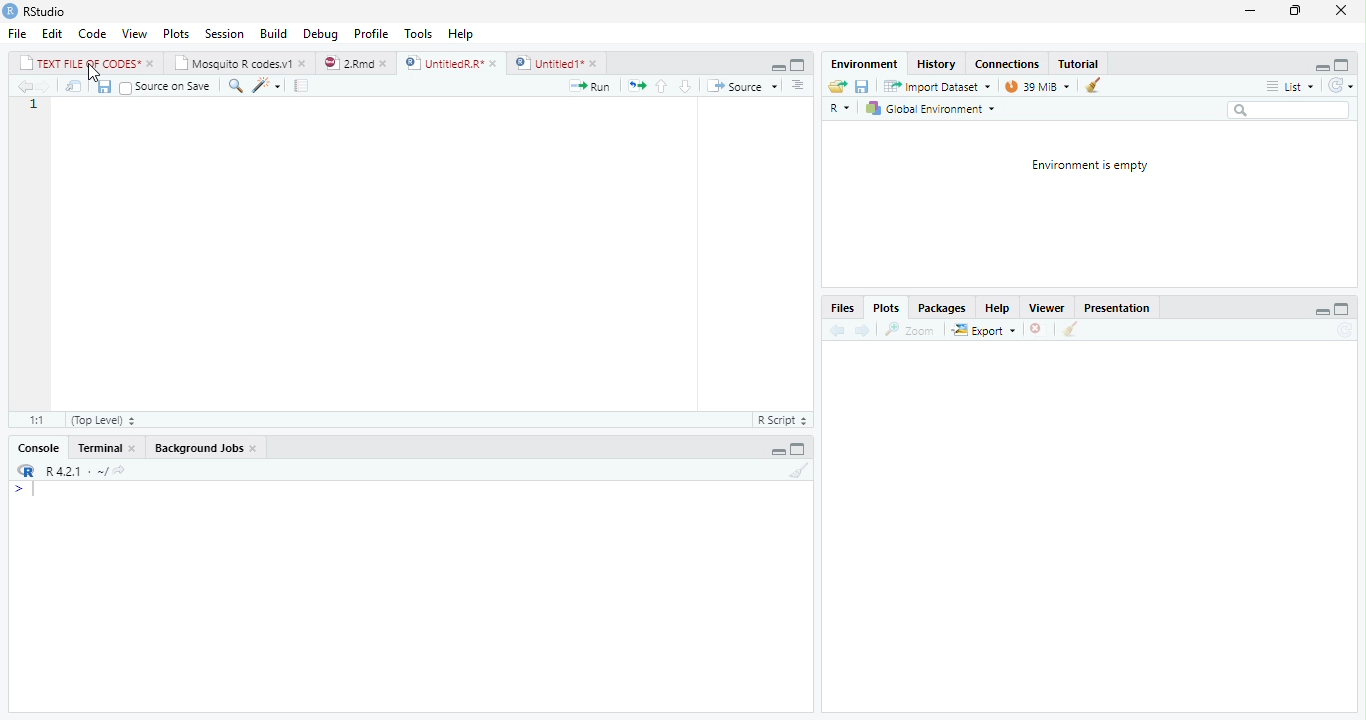 This screenshot has height=720, width=1366. I want to click on 1:1, so click(38, 419).